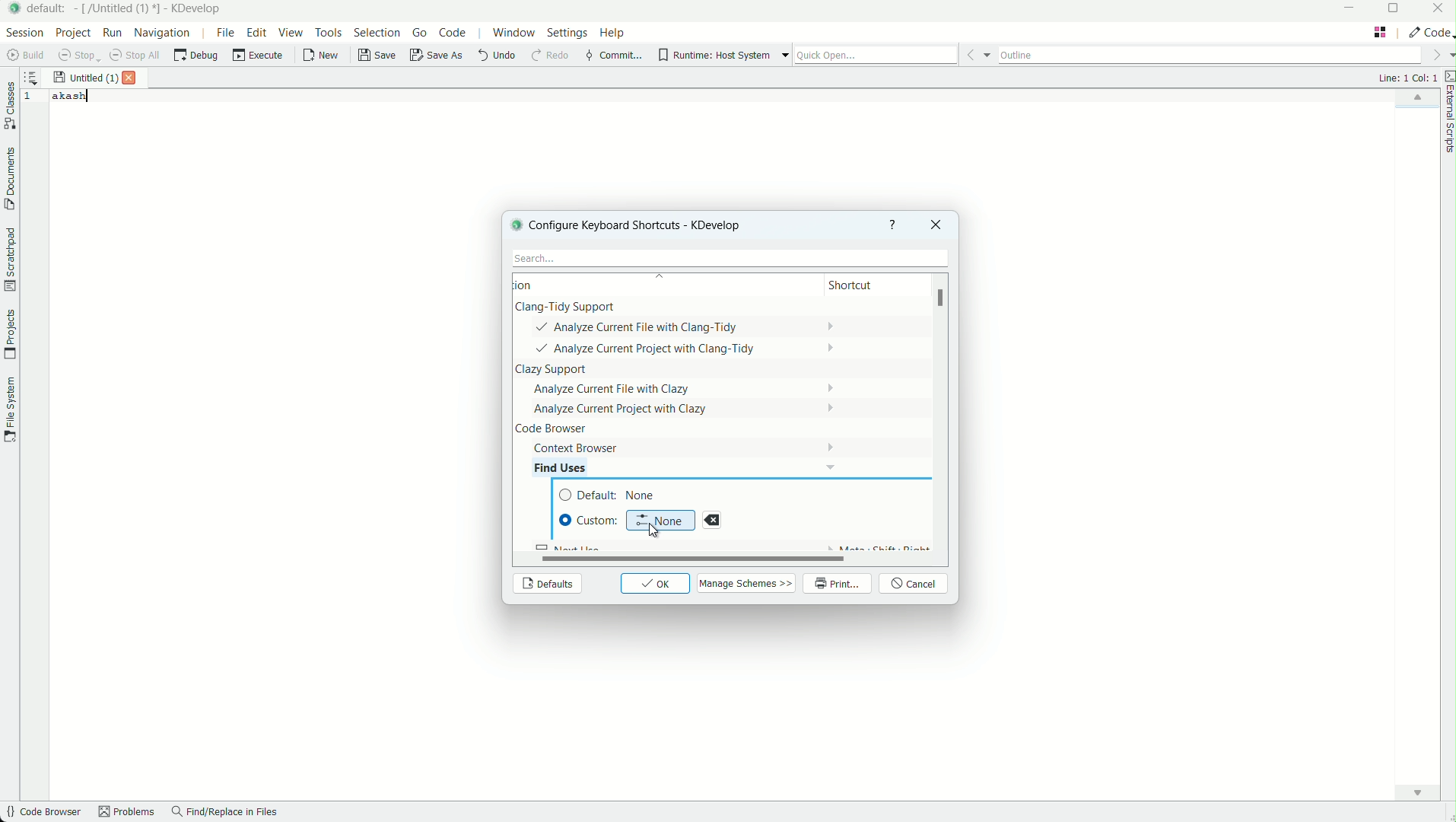  What do you see at coordinates (49, 8) in the screenshot?
I see `default` at bounding box center [49, 8].